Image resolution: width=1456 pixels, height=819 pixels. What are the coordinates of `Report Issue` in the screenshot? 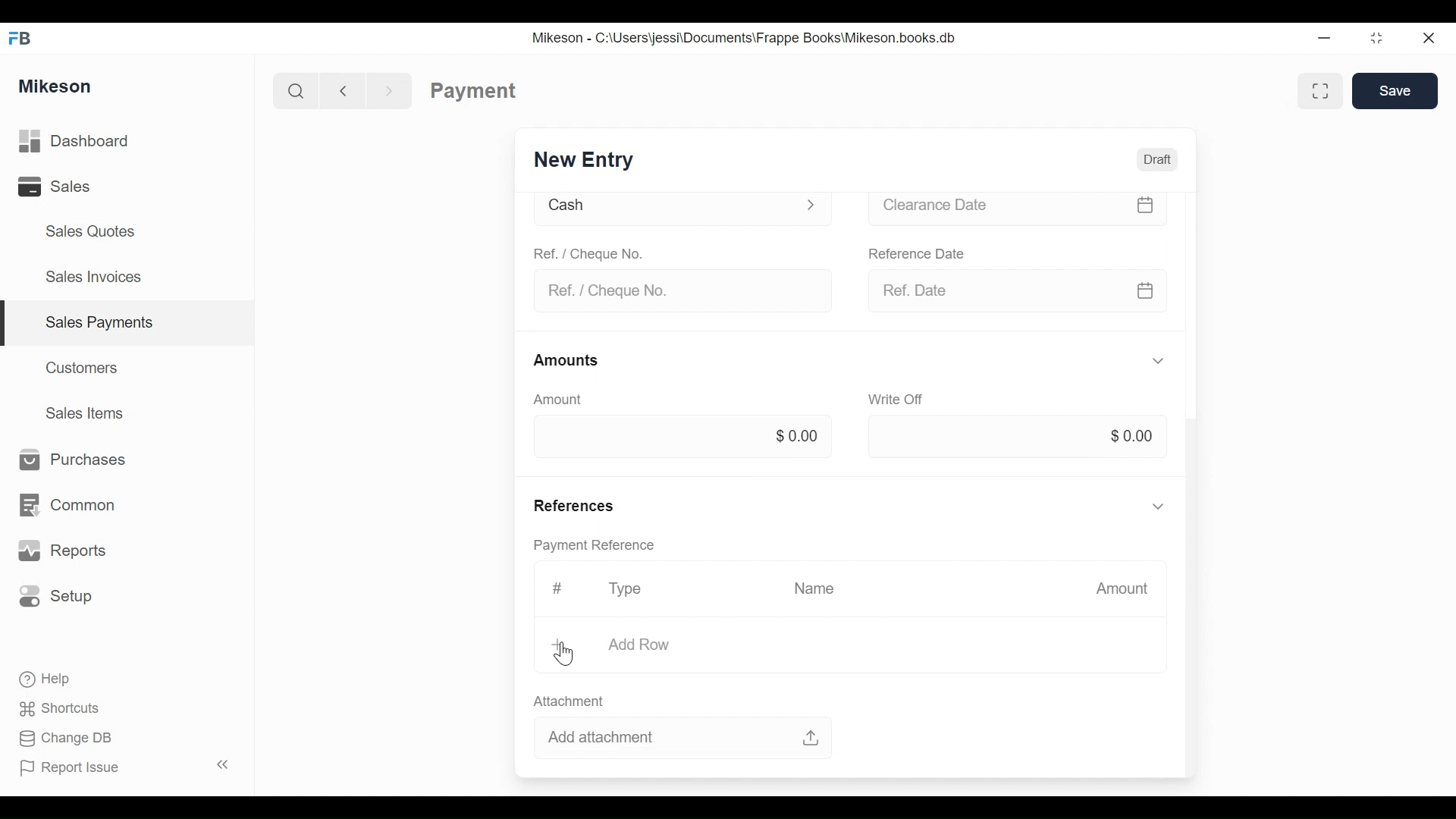 It's located at (77, 768).